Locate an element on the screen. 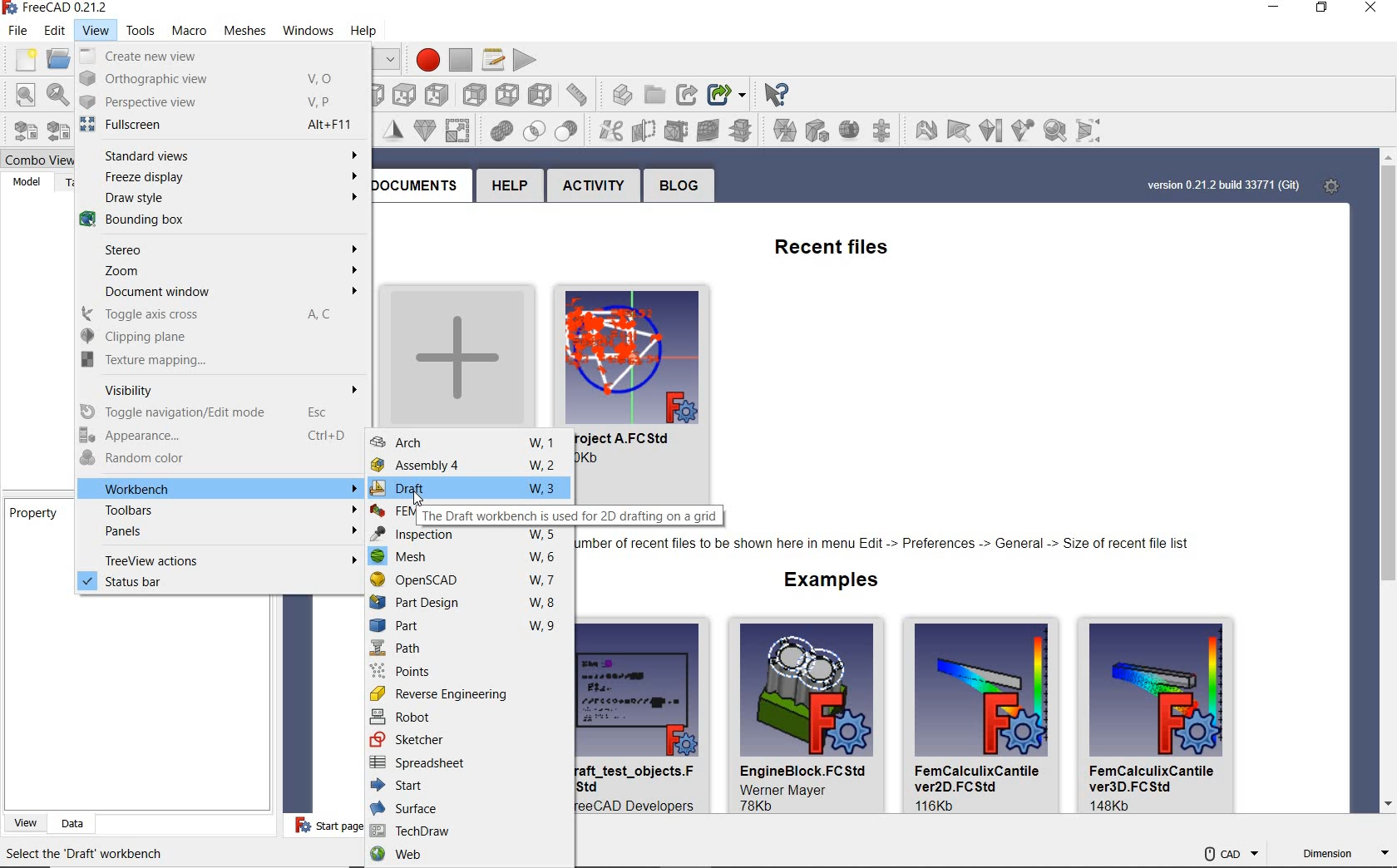  clipping plane is located at coordinates (213, 338).